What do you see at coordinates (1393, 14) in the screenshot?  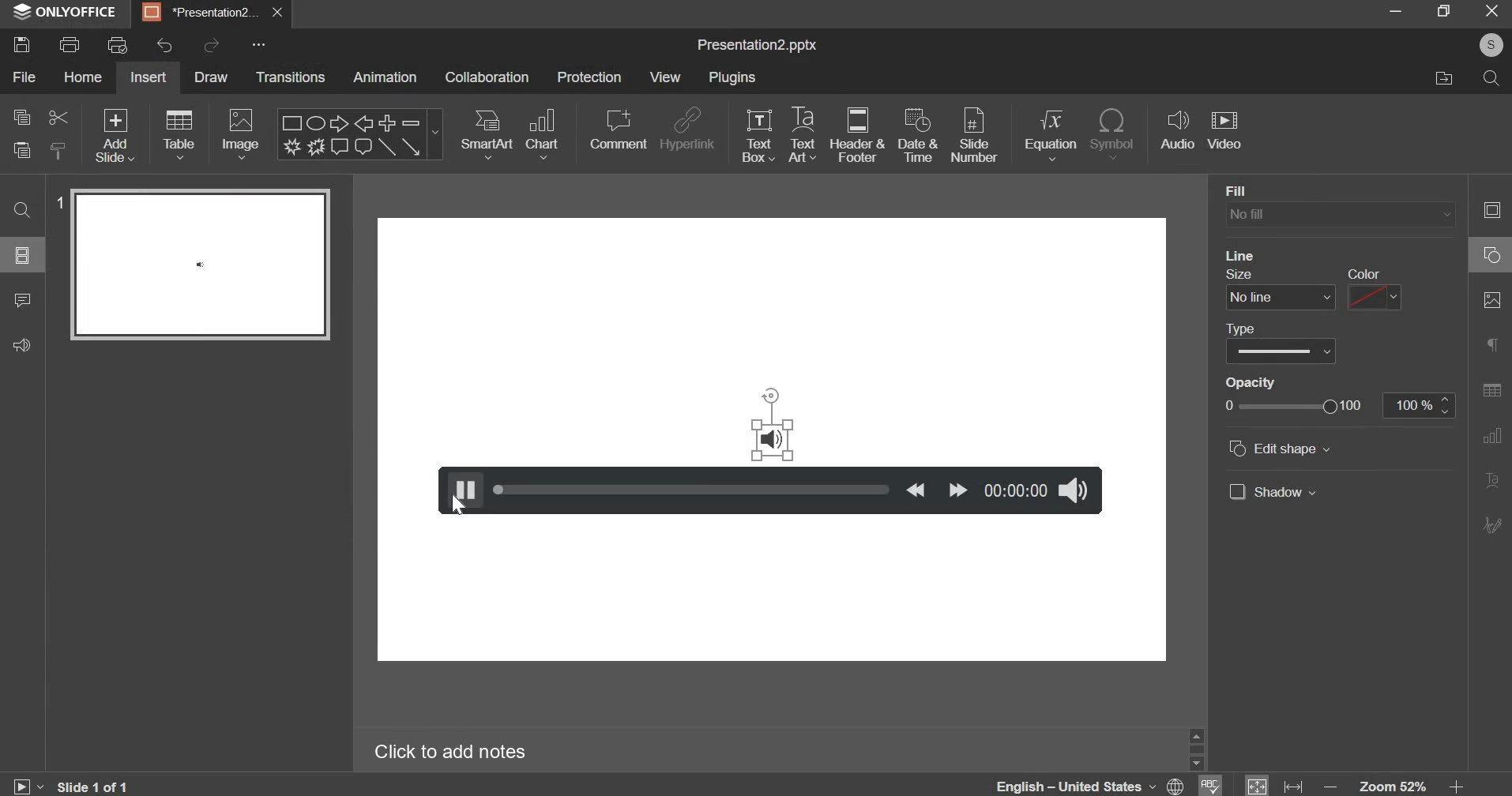 I see `minimize` at bounding box center [1393, 14].